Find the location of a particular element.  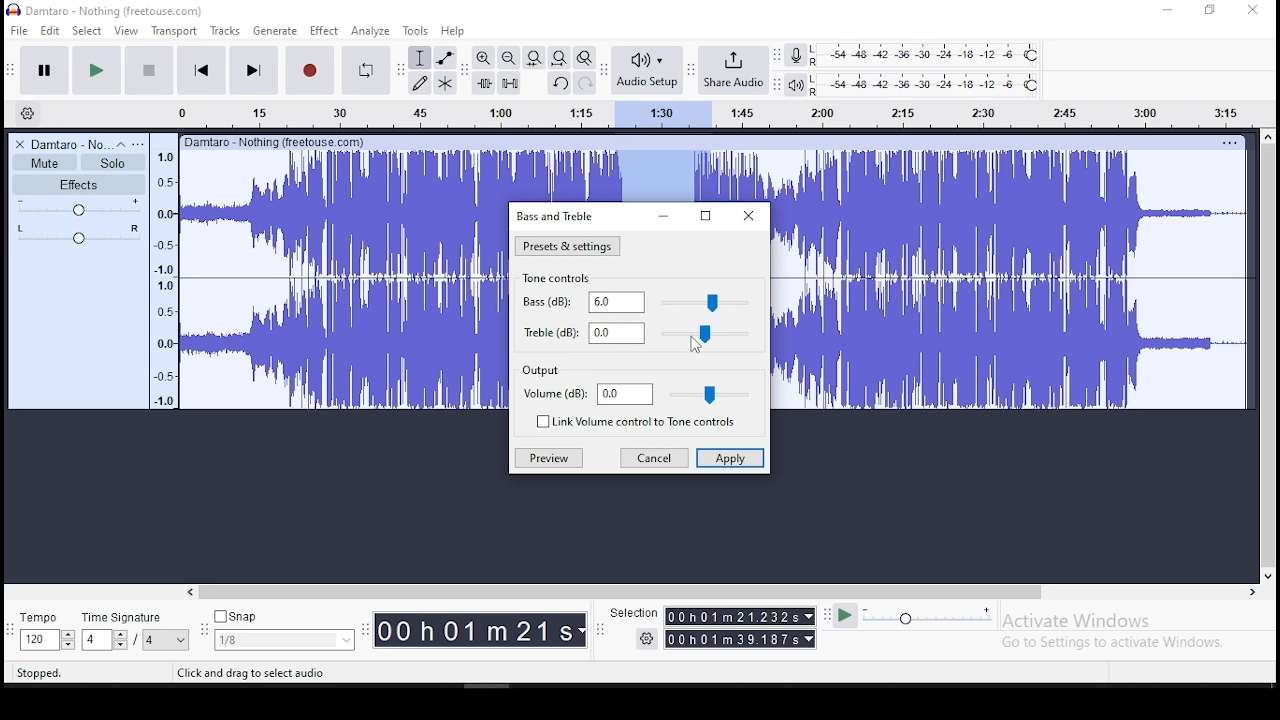

zoom in is located at coordinates (484, 57).